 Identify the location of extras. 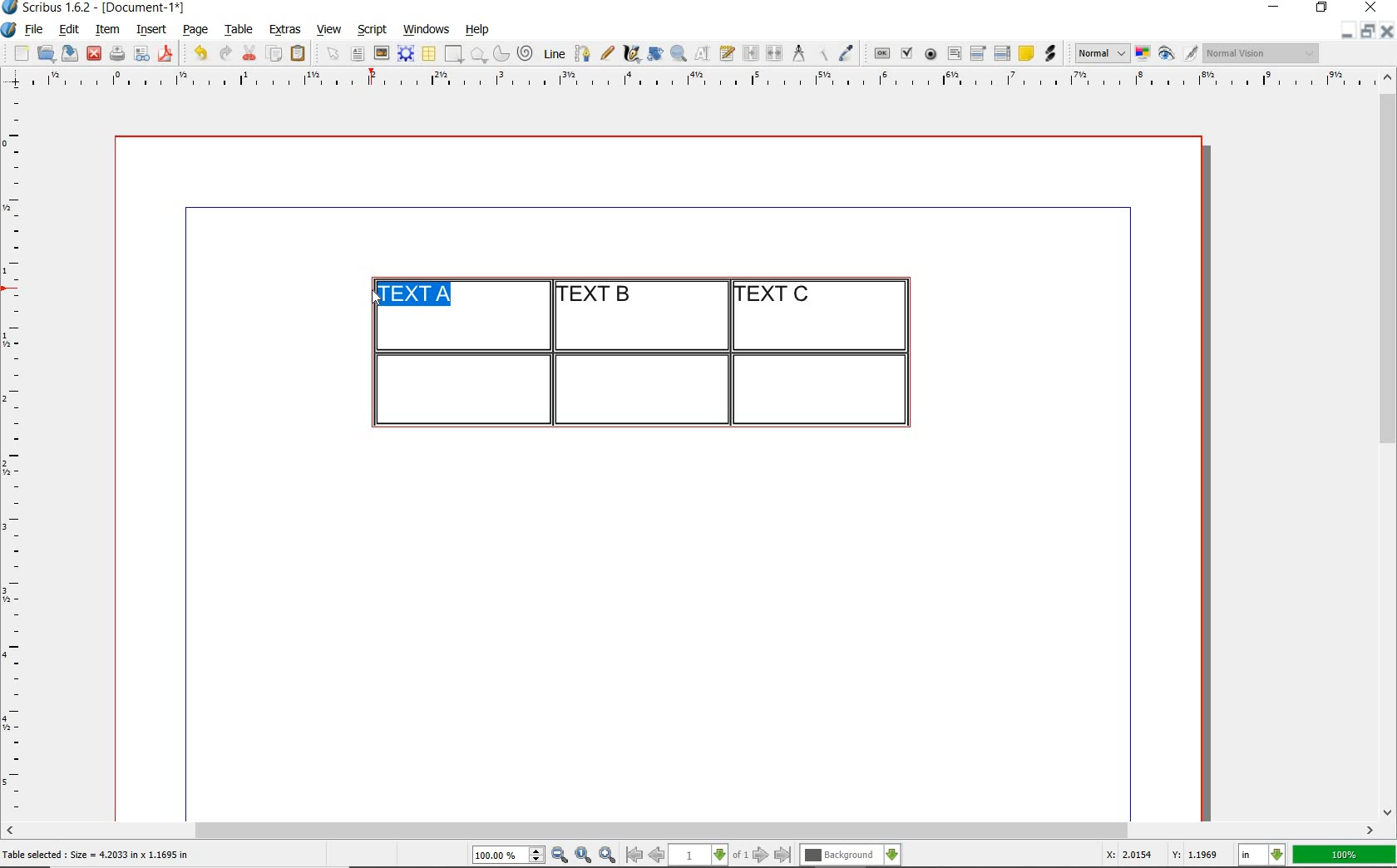
(285, 31).